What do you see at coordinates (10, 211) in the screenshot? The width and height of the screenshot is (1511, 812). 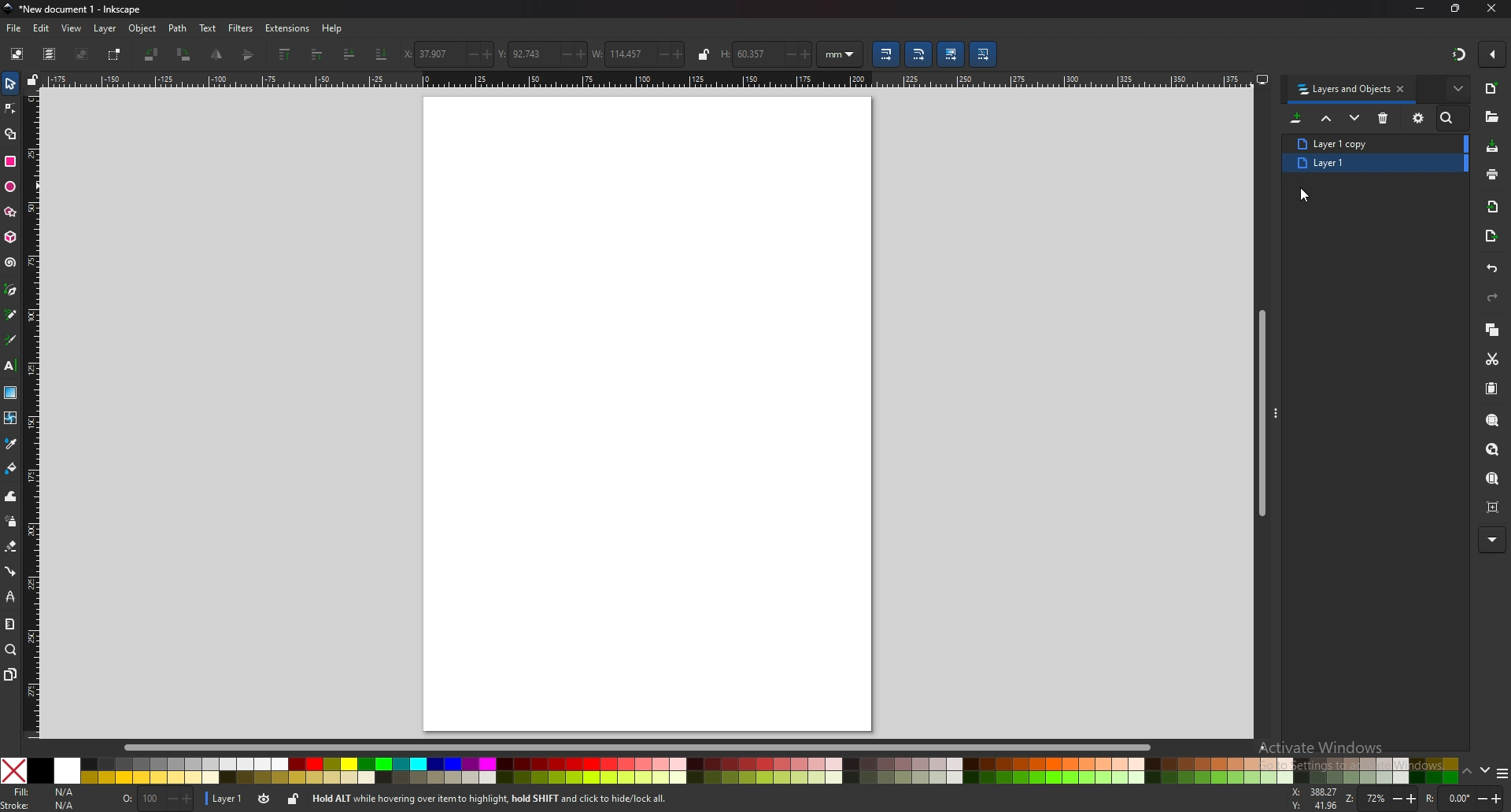 I see `stars and polygons` at bounding box center [10, 211].